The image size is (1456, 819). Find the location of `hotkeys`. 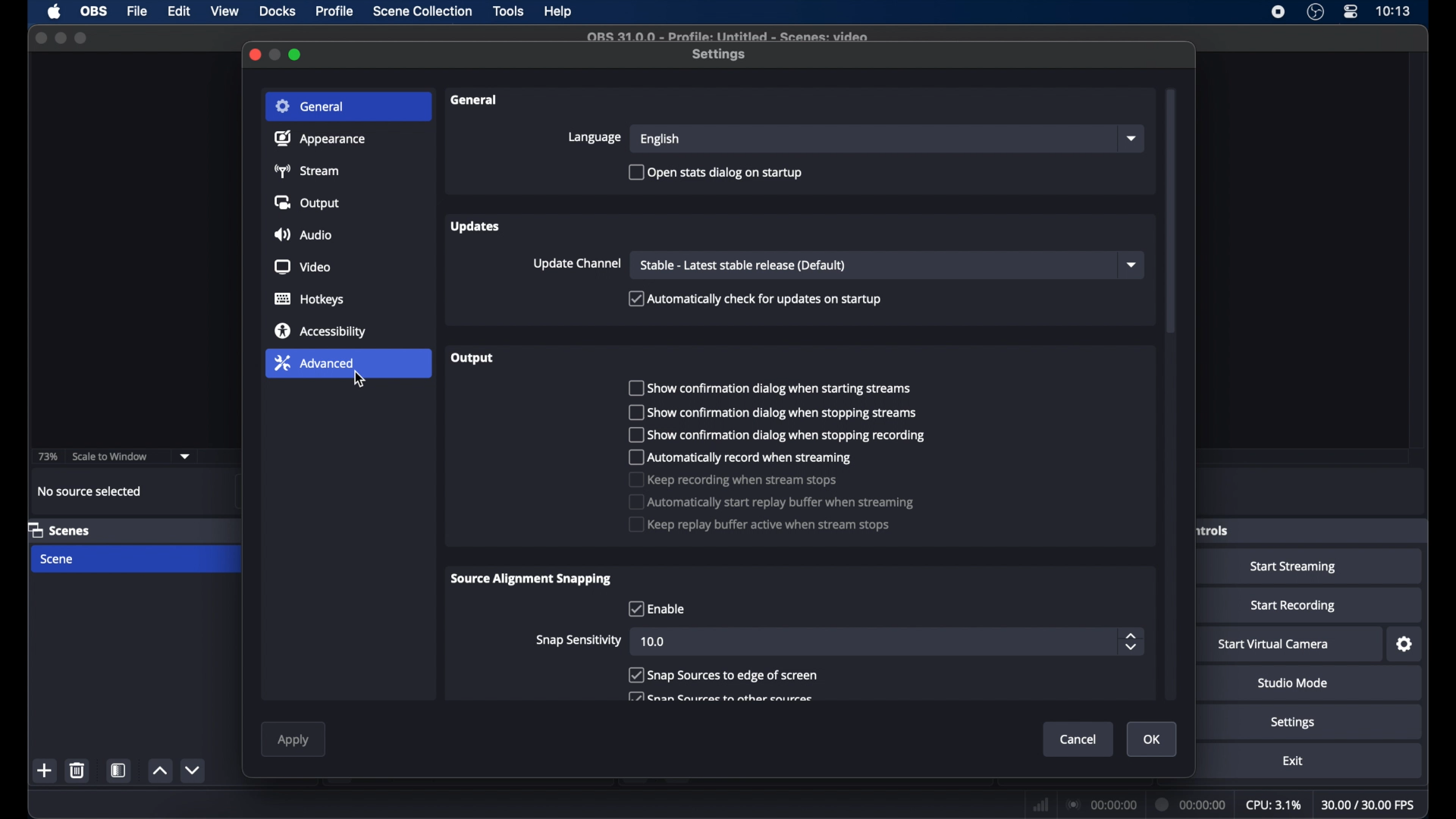

hotkeys is located at coordinates (310, 300).